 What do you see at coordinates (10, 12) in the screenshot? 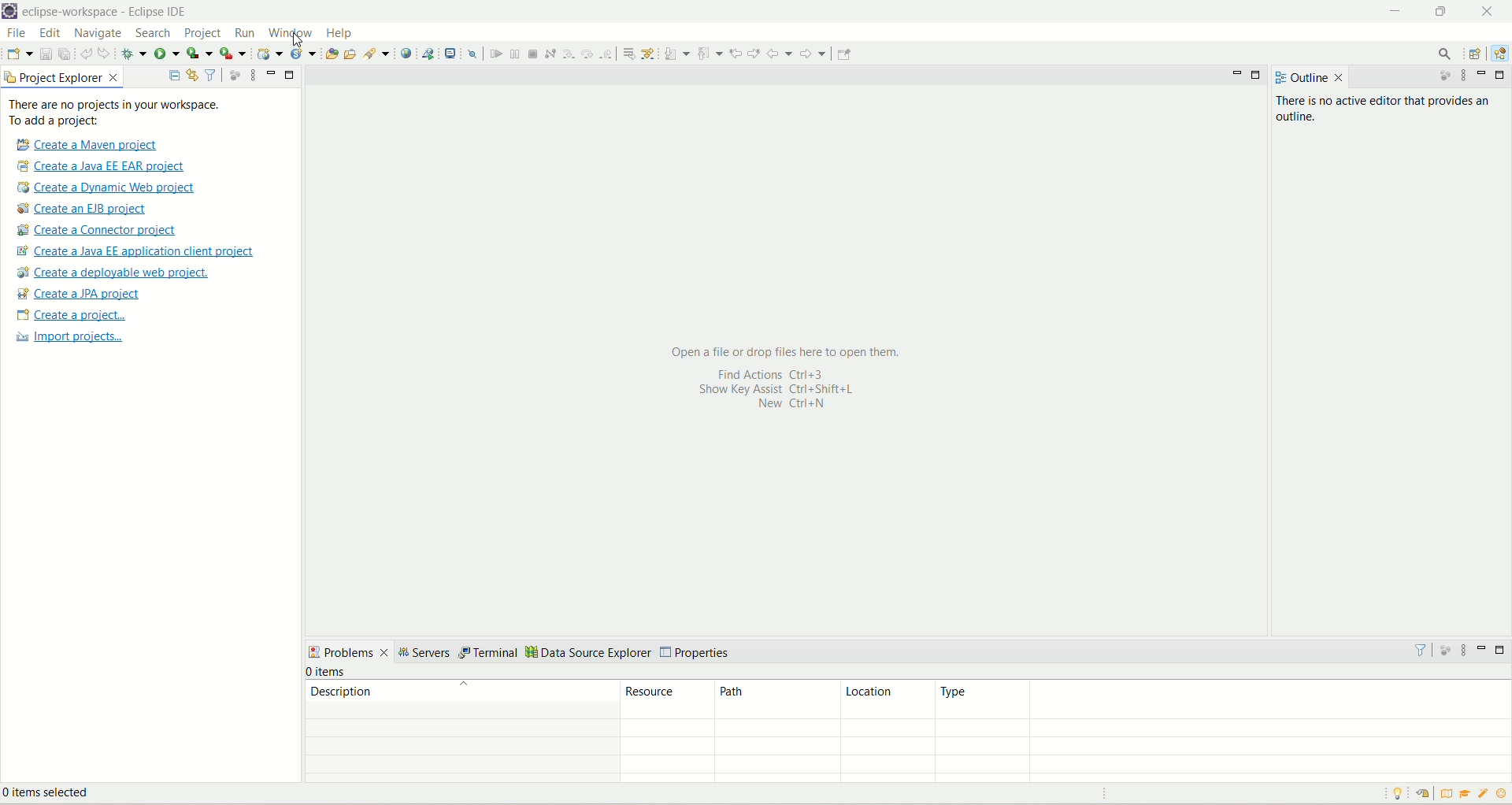
I see `logo` at bounding box center [10, 12].